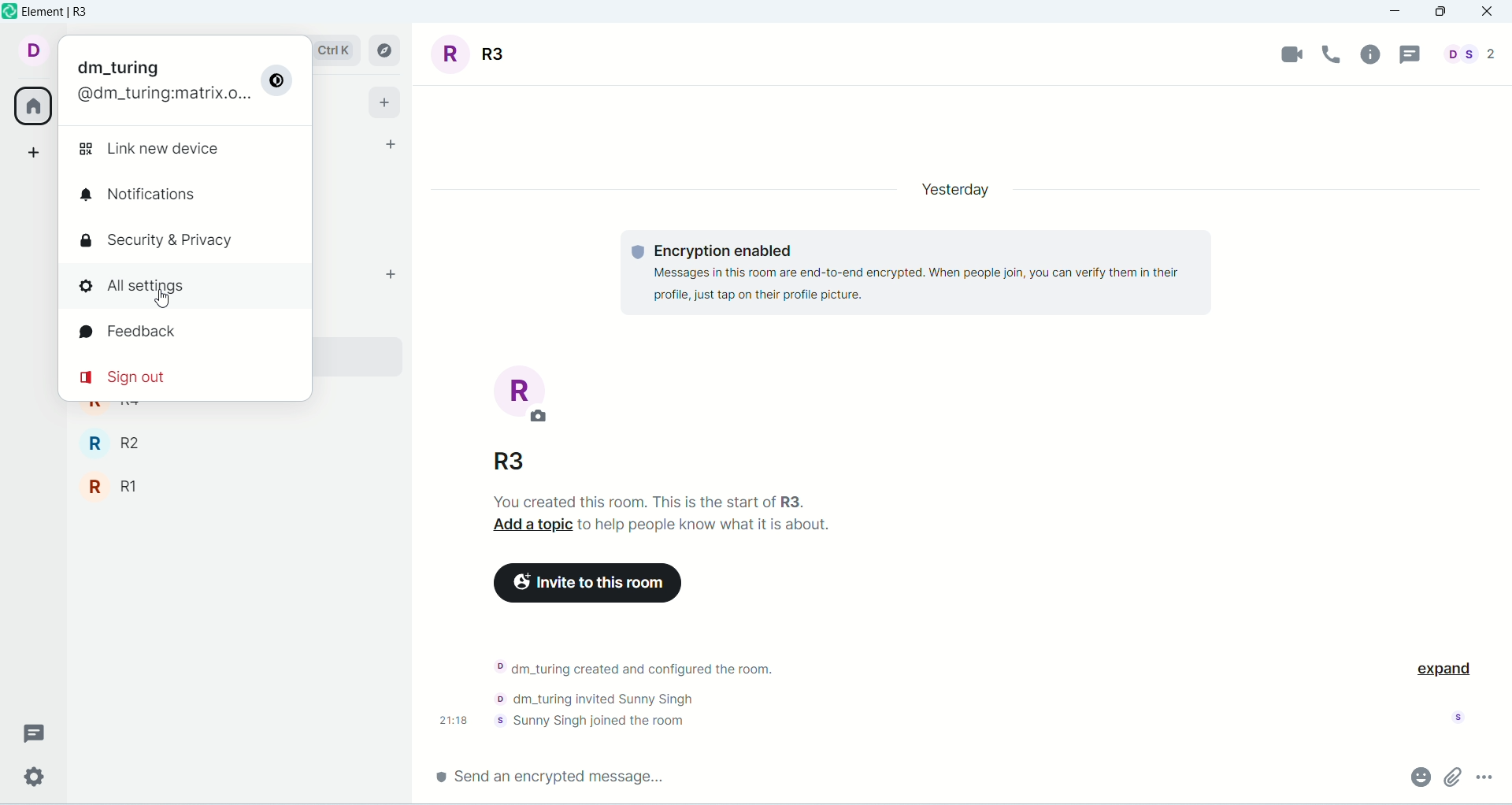 The height and width of the screenshot is (805, 1512). I want to click on settings, so click(35, 777).